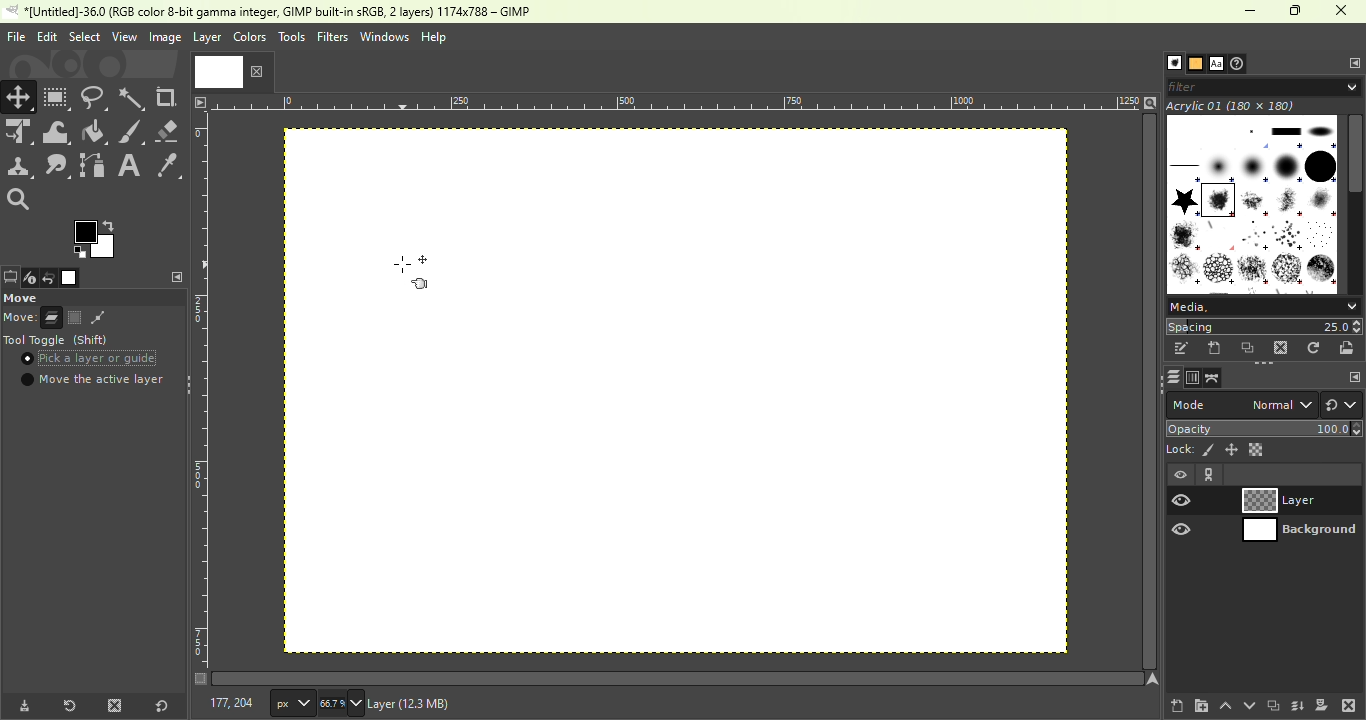  Describe the element at coordinates (93, 371) in the screenshot. I see `pick a layer or guide    move the active layer` at that location.